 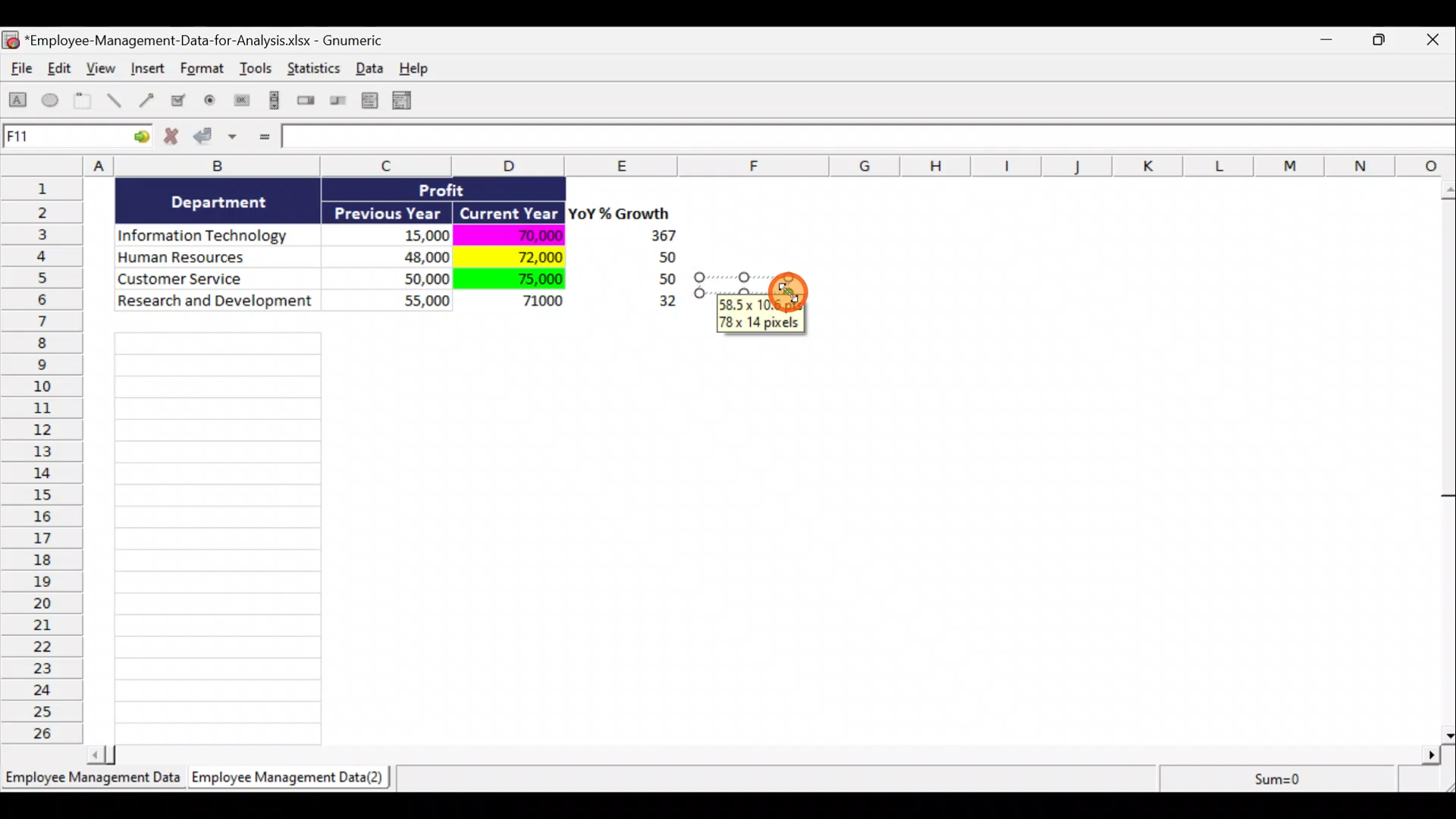 What do you see at coordinates (179, 100) in the screenshot?
I see `Create a checkbox` at bounding box center [179, 100].